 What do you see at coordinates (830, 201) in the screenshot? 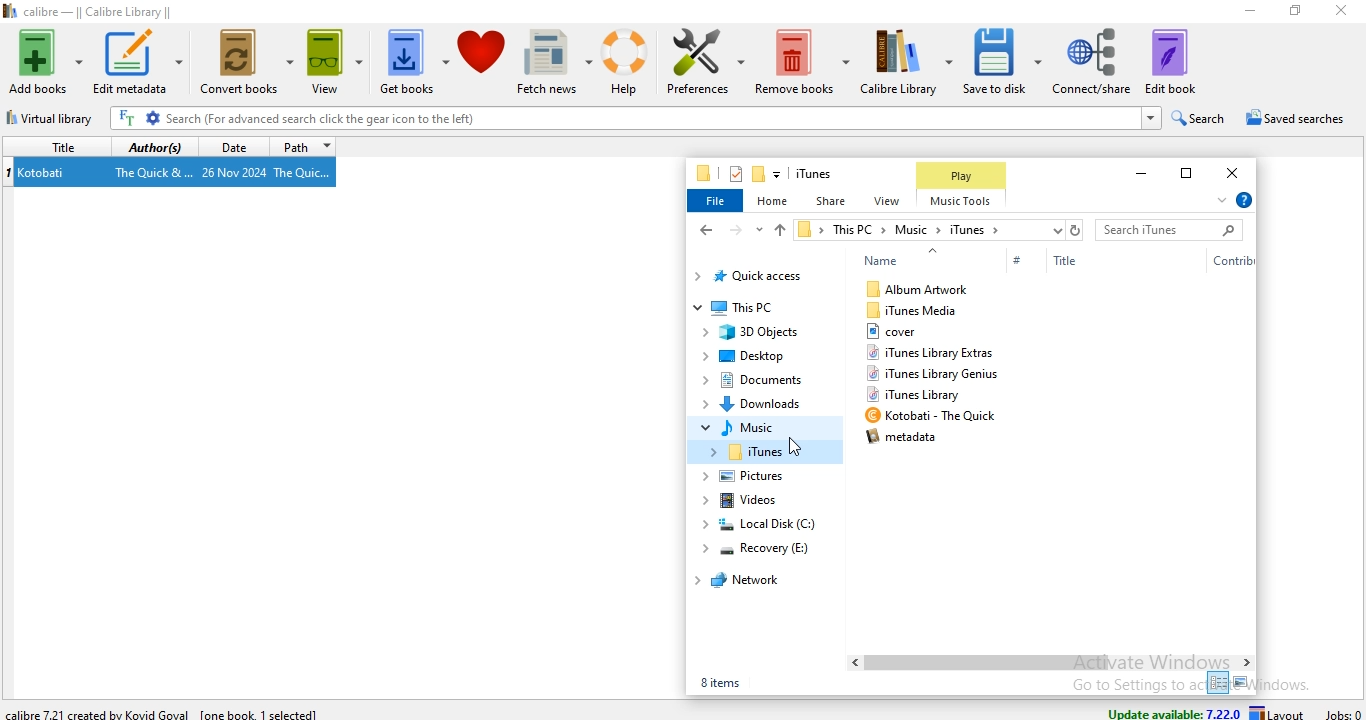
I see `share` at bounding box center [830, 201].